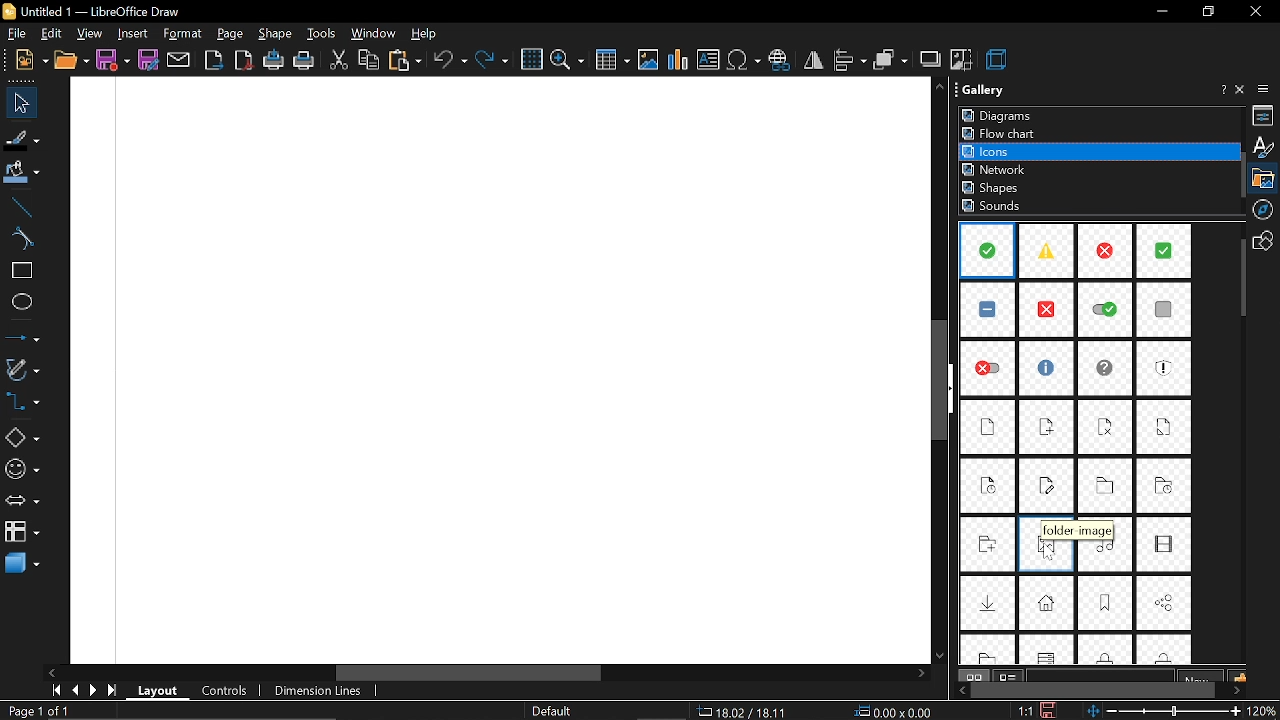 This screenshot has width=1280, height=720. I want to click on select, so click(16, 103).